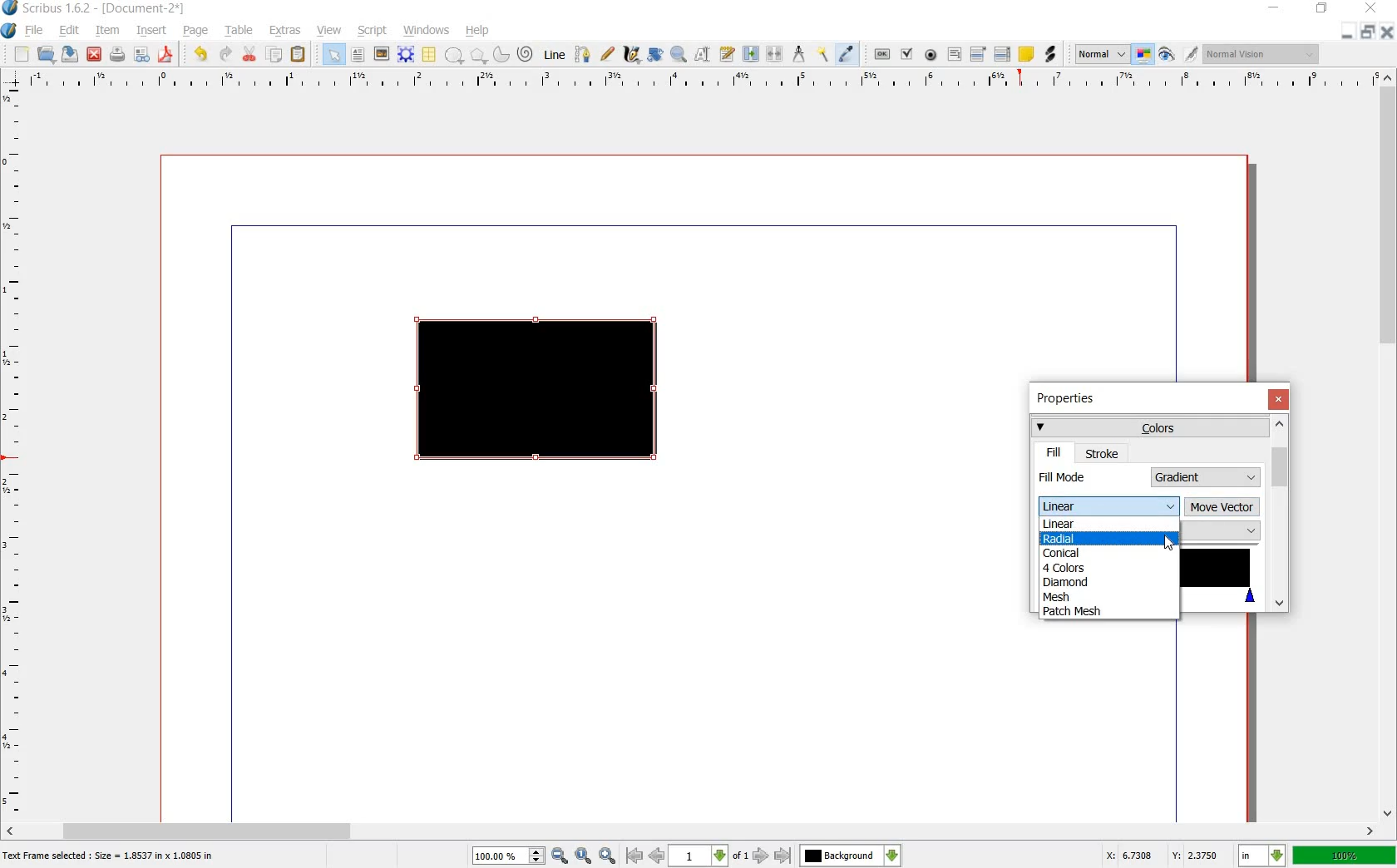  Describe the element at coordinates (739, 857) in the screenshot. I see `of 1` at that location.